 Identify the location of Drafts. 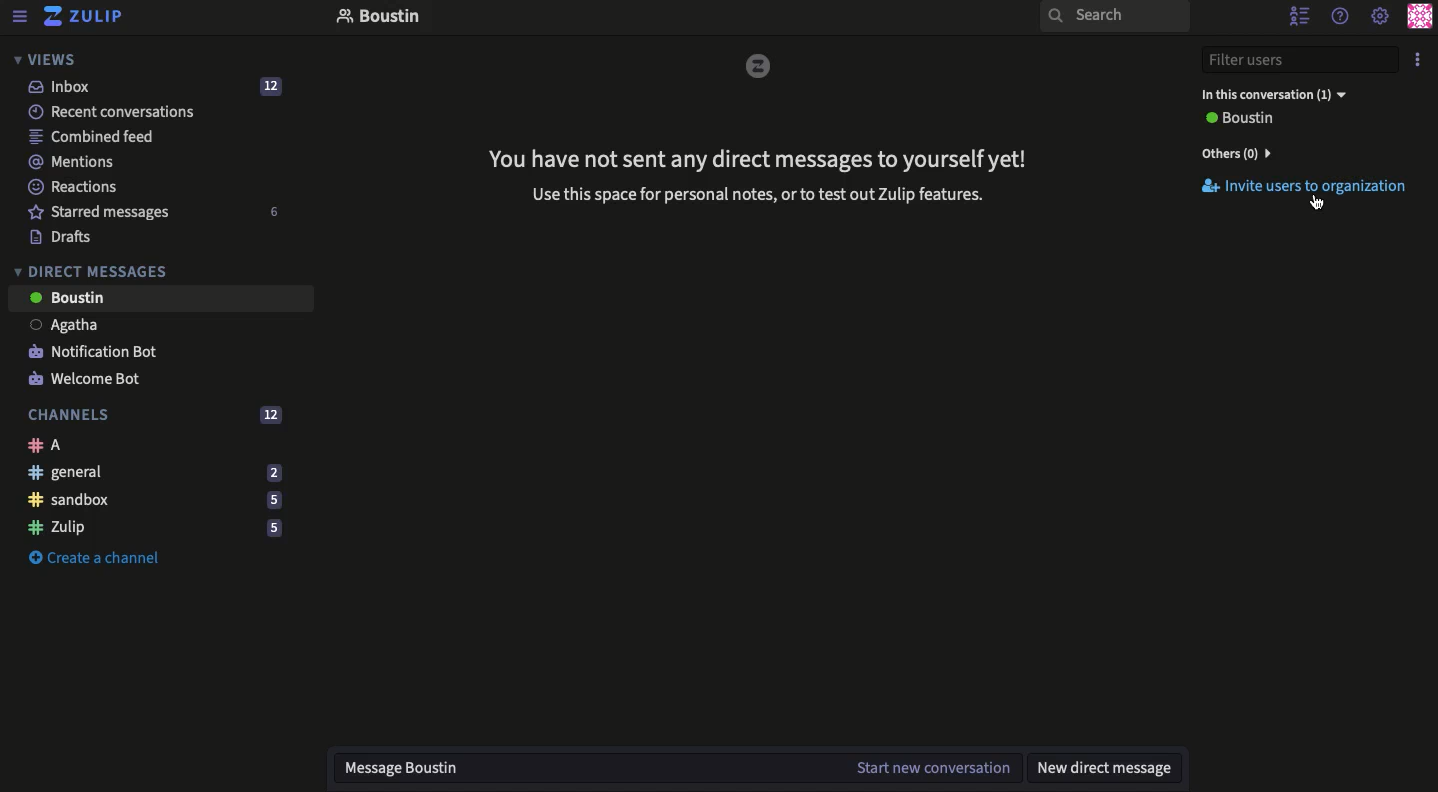
(51, 236).